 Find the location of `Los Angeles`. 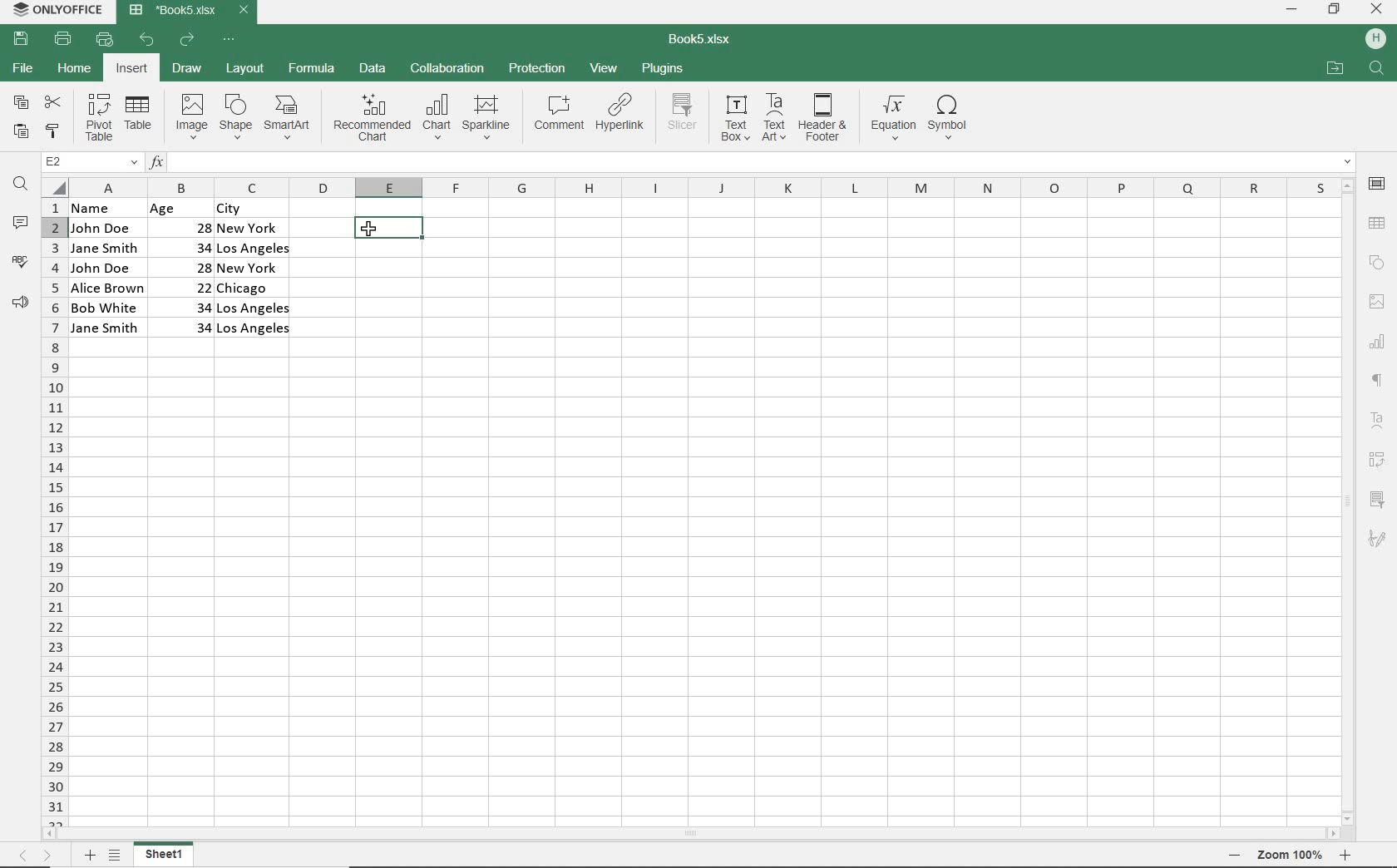

Los Angeles is located at coordinates (256, 308).